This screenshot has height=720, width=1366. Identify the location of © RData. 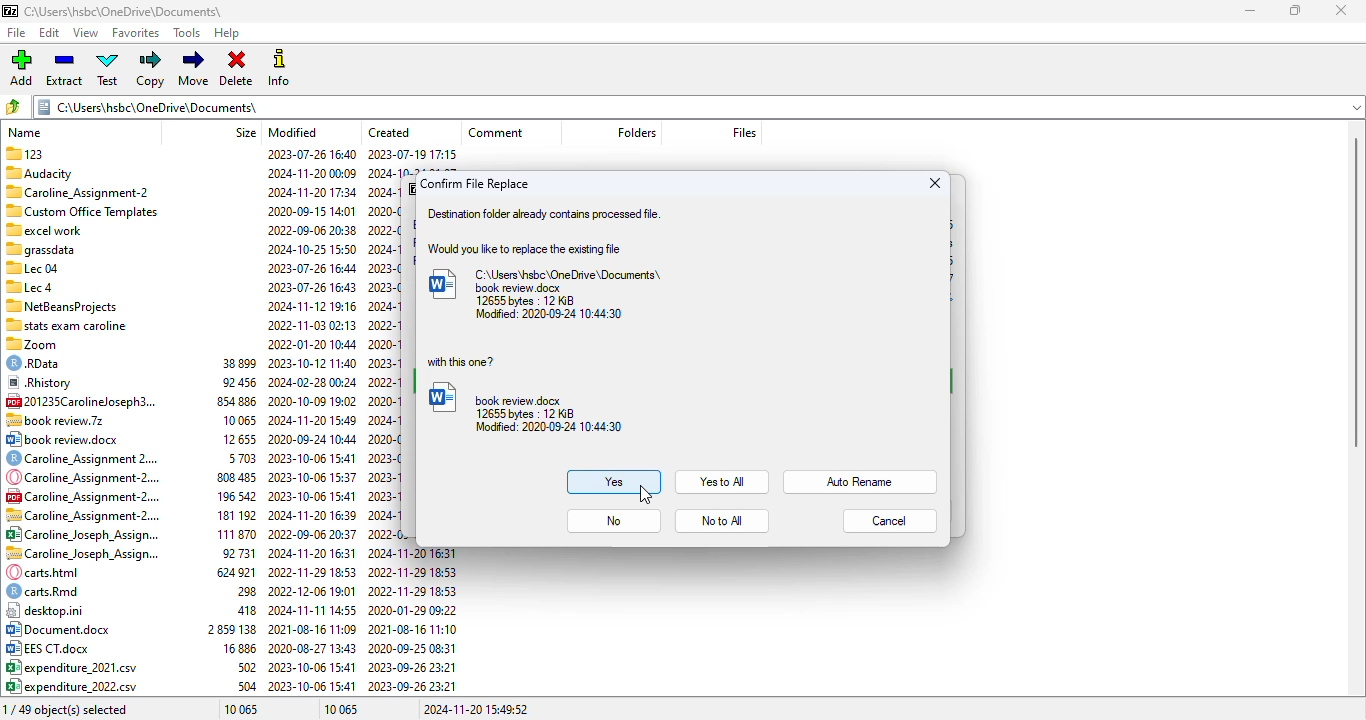
(40, 362).